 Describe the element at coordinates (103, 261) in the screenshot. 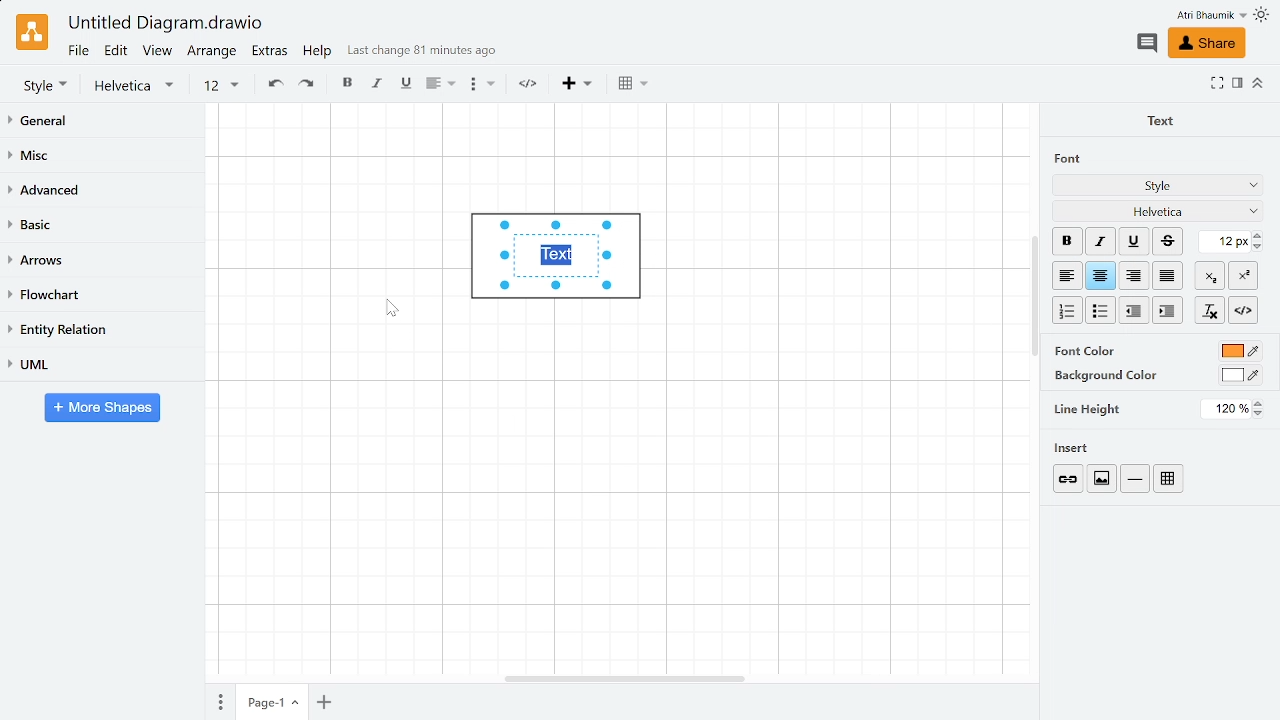

I see `Arrows` at that location.